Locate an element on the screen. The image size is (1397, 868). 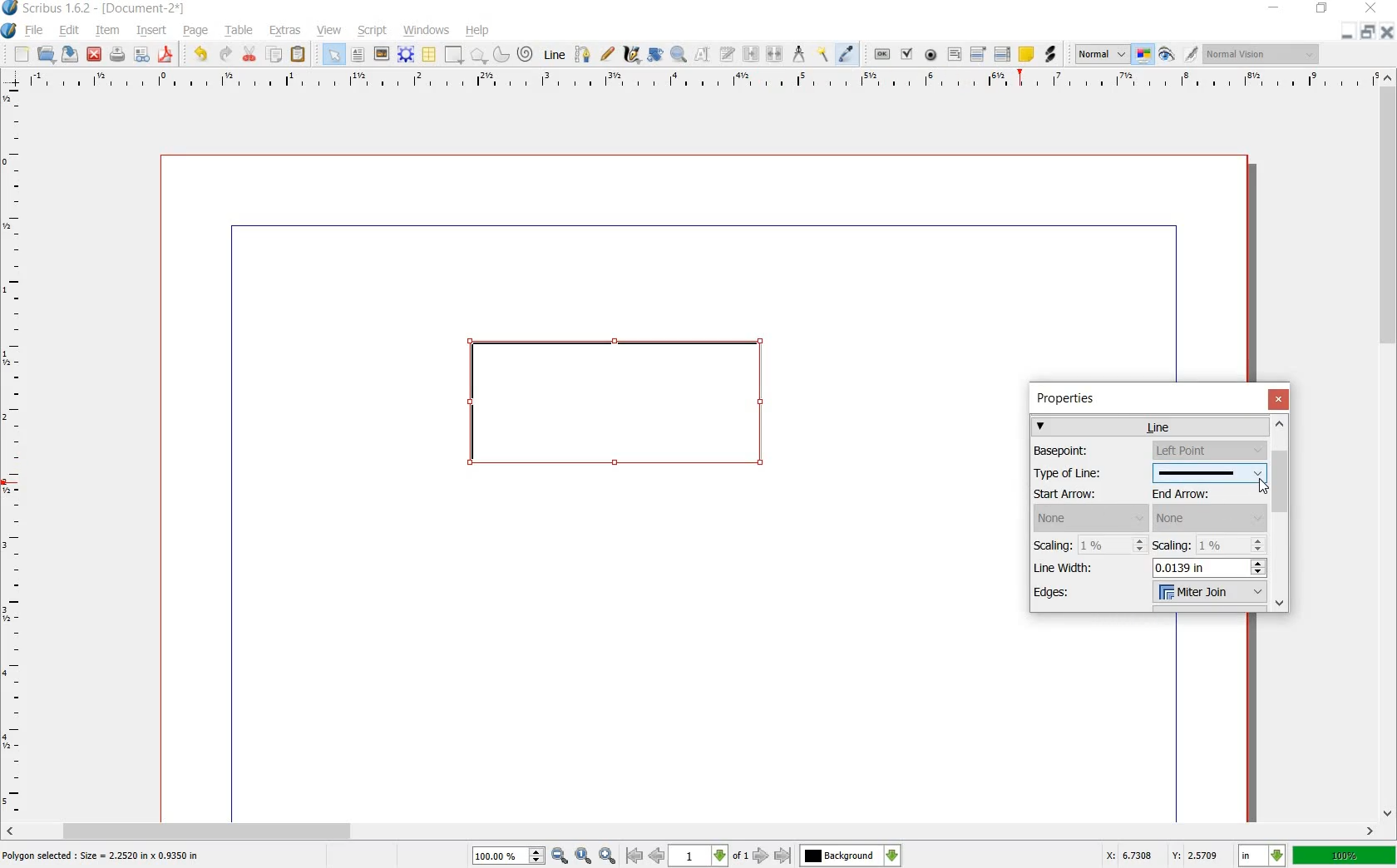
PASTE is located at coordinates (299, 54).